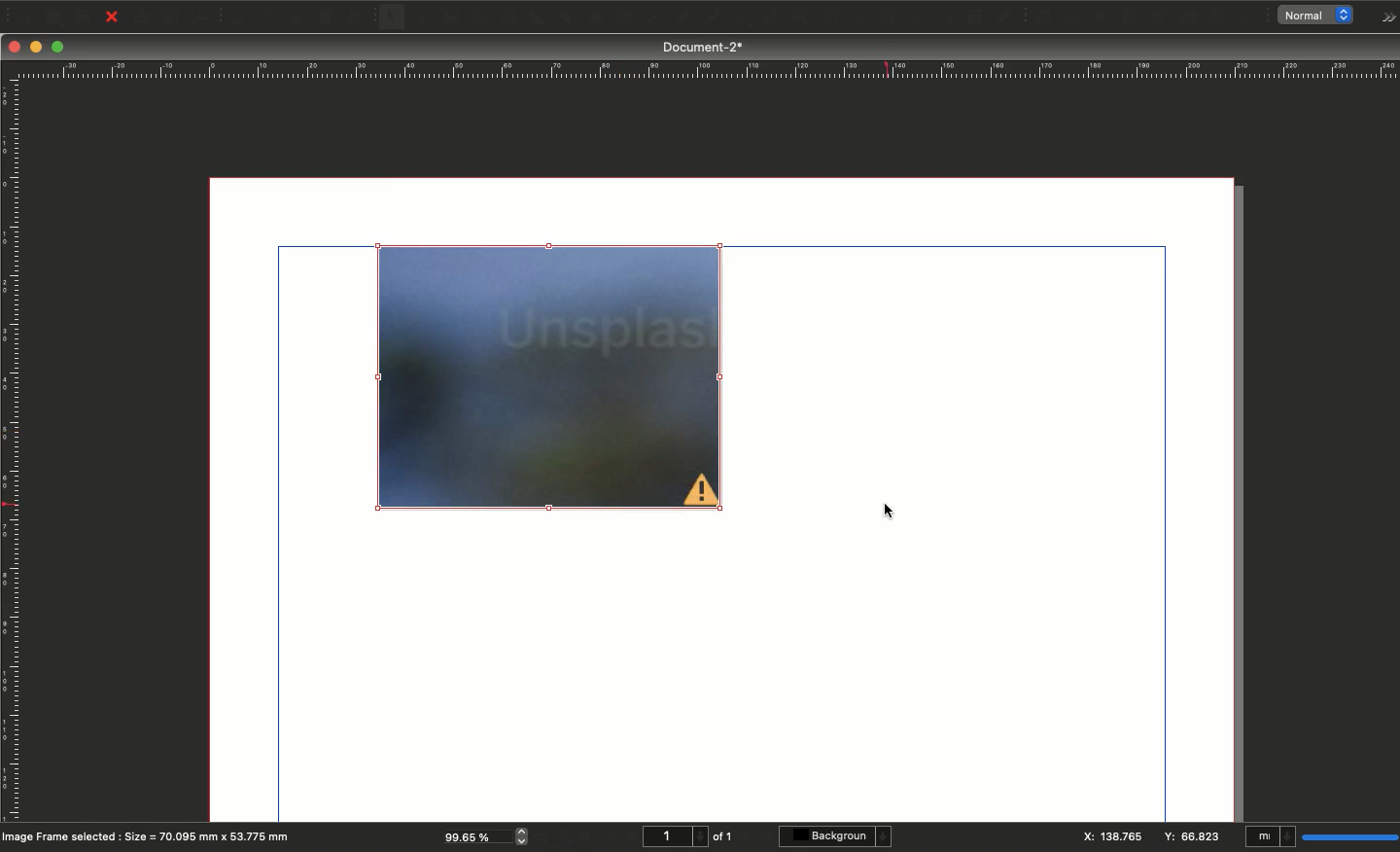 The height and width of the screenshot is (852, 1400). Describe the element at coordinates (550, 376) in the screenshot. I see `Image in new position` at that location.